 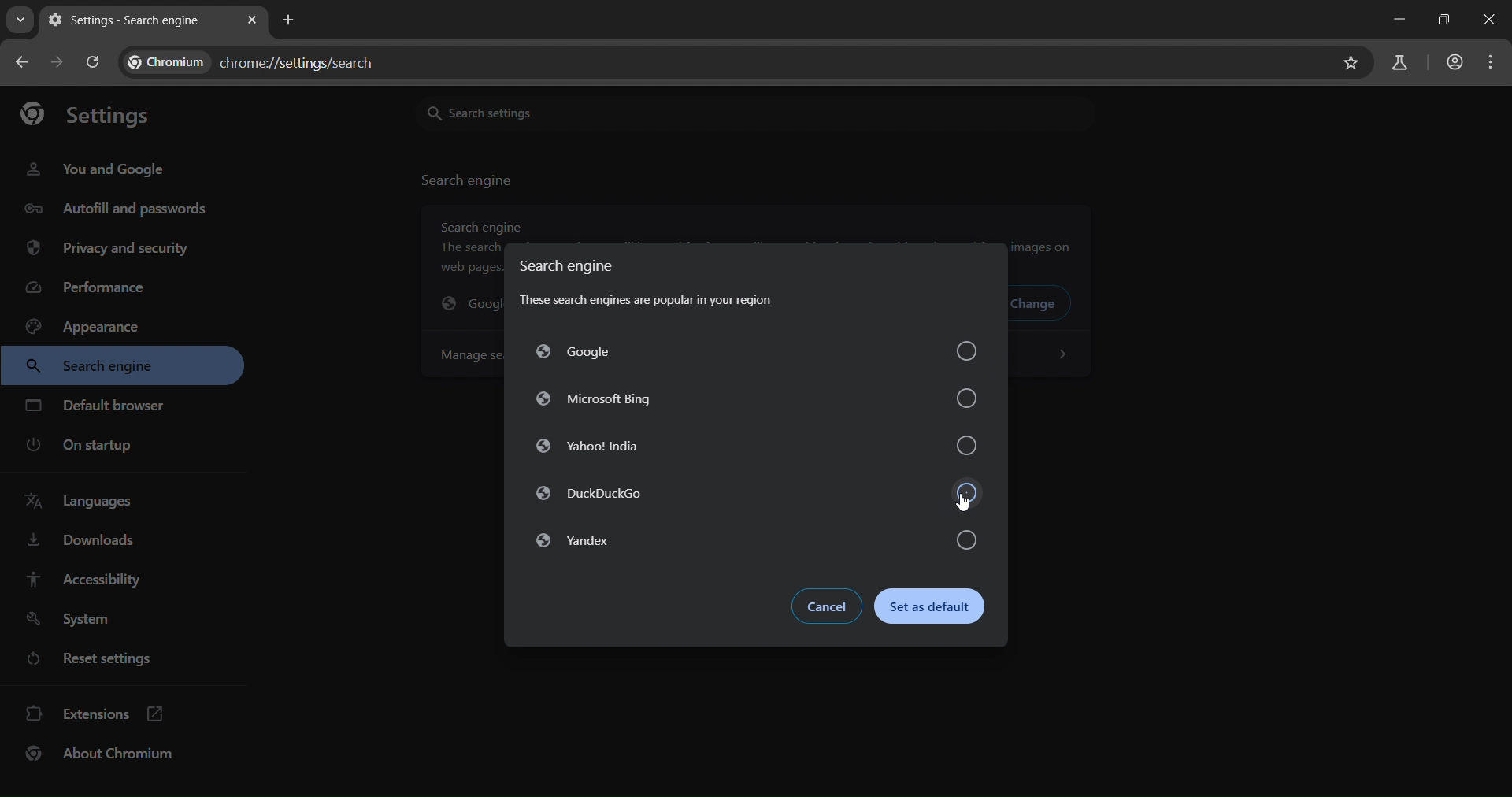 I want to click on downloads, so click(x=82, y=543).